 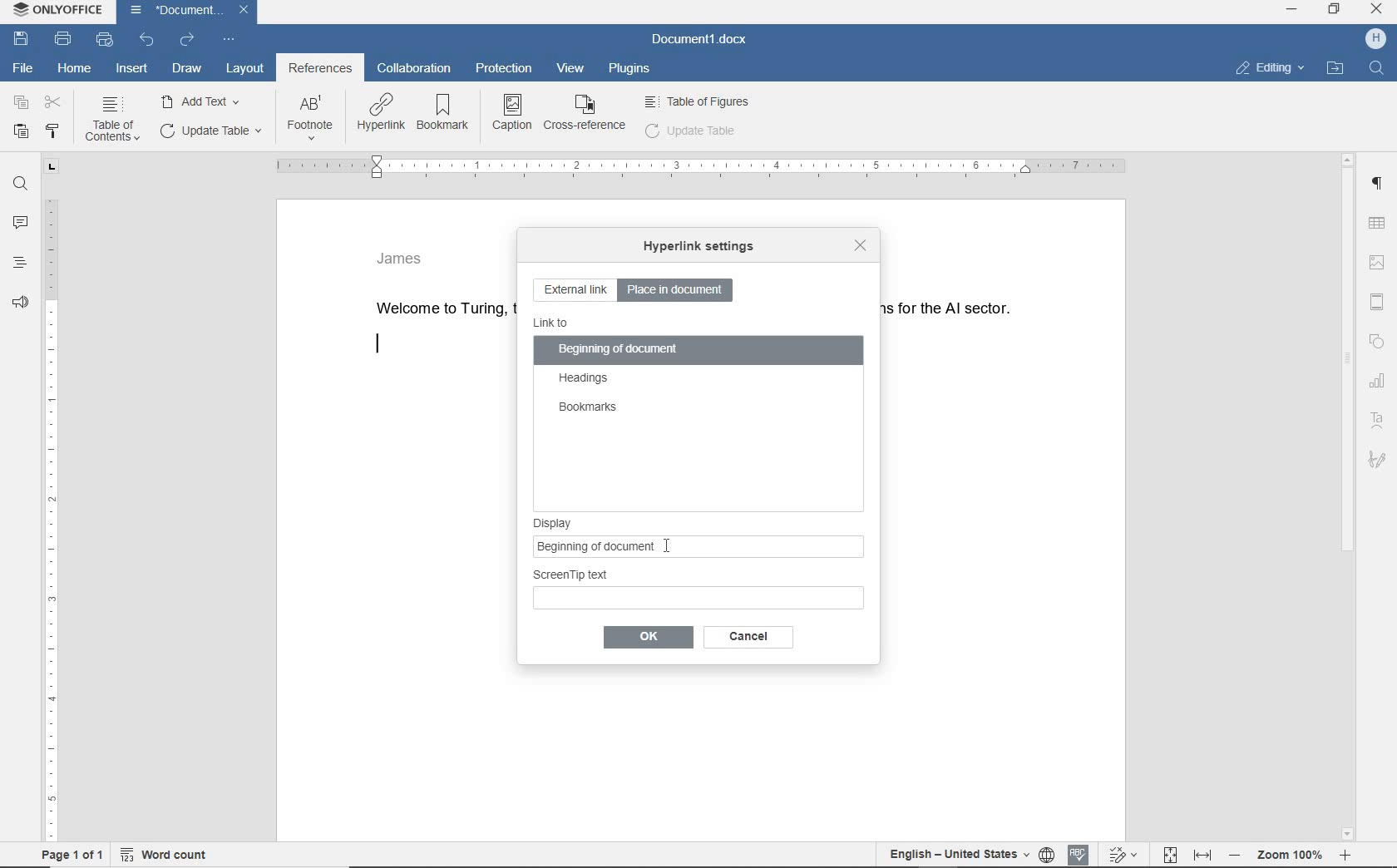 What do you see at coordinates (1381, 184) in the screenshot?
I see `Paragraph` at bounding box center [1381, 184].